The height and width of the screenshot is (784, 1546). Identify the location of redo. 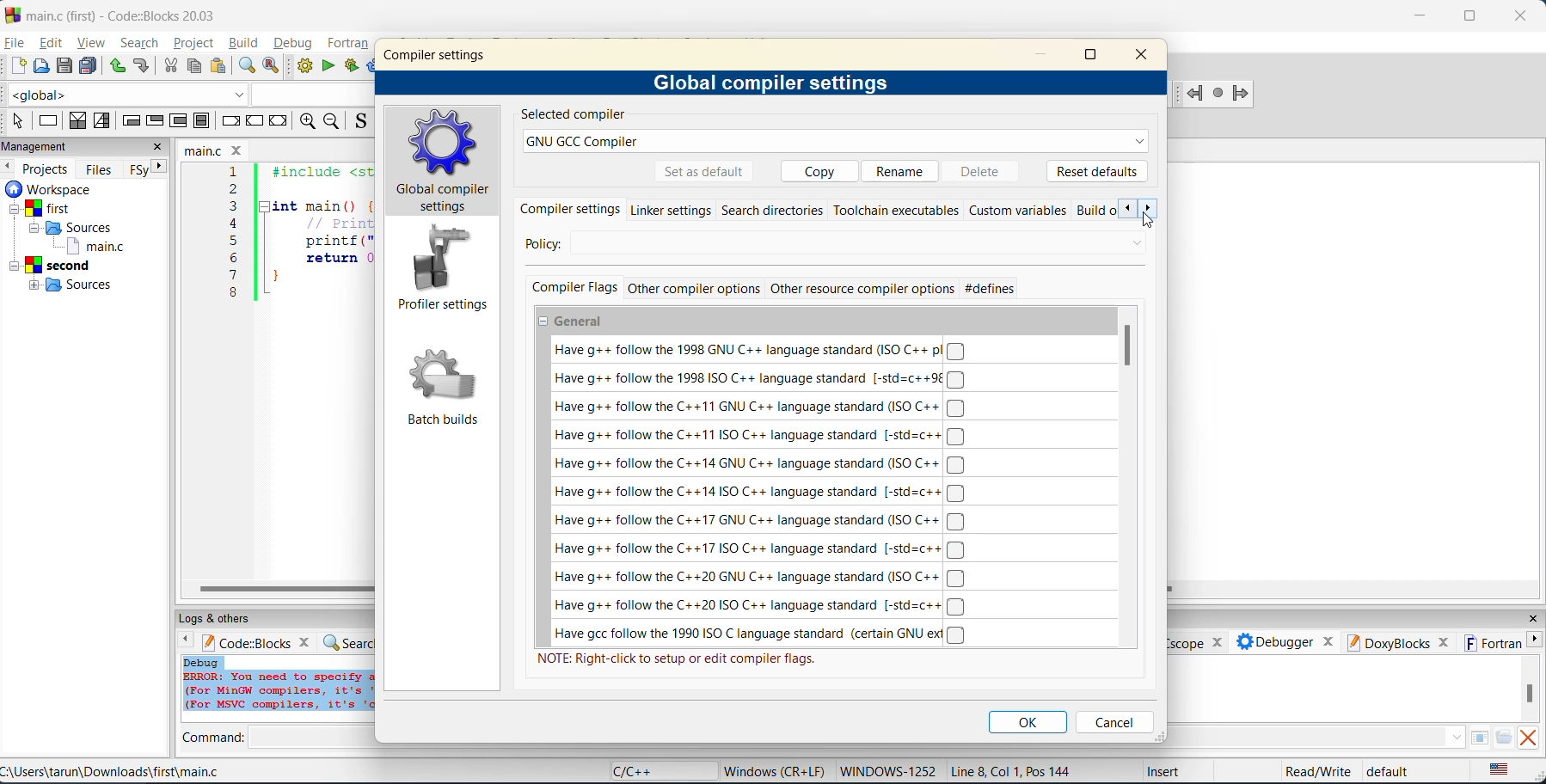
(142, 65).